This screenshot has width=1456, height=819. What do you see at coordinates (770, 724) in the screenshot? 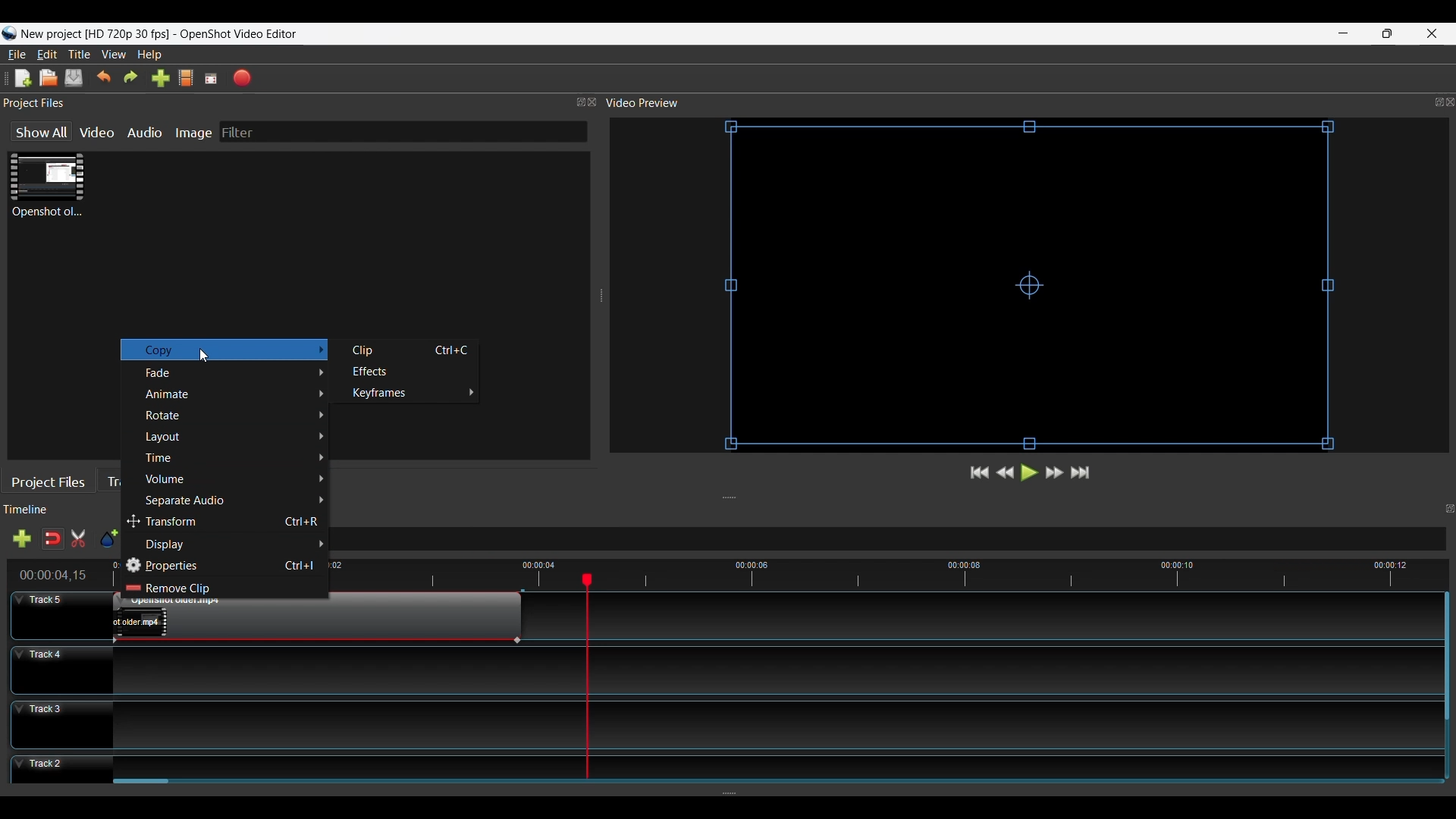
I see `Track Panel` at bounding box center [770, 724].